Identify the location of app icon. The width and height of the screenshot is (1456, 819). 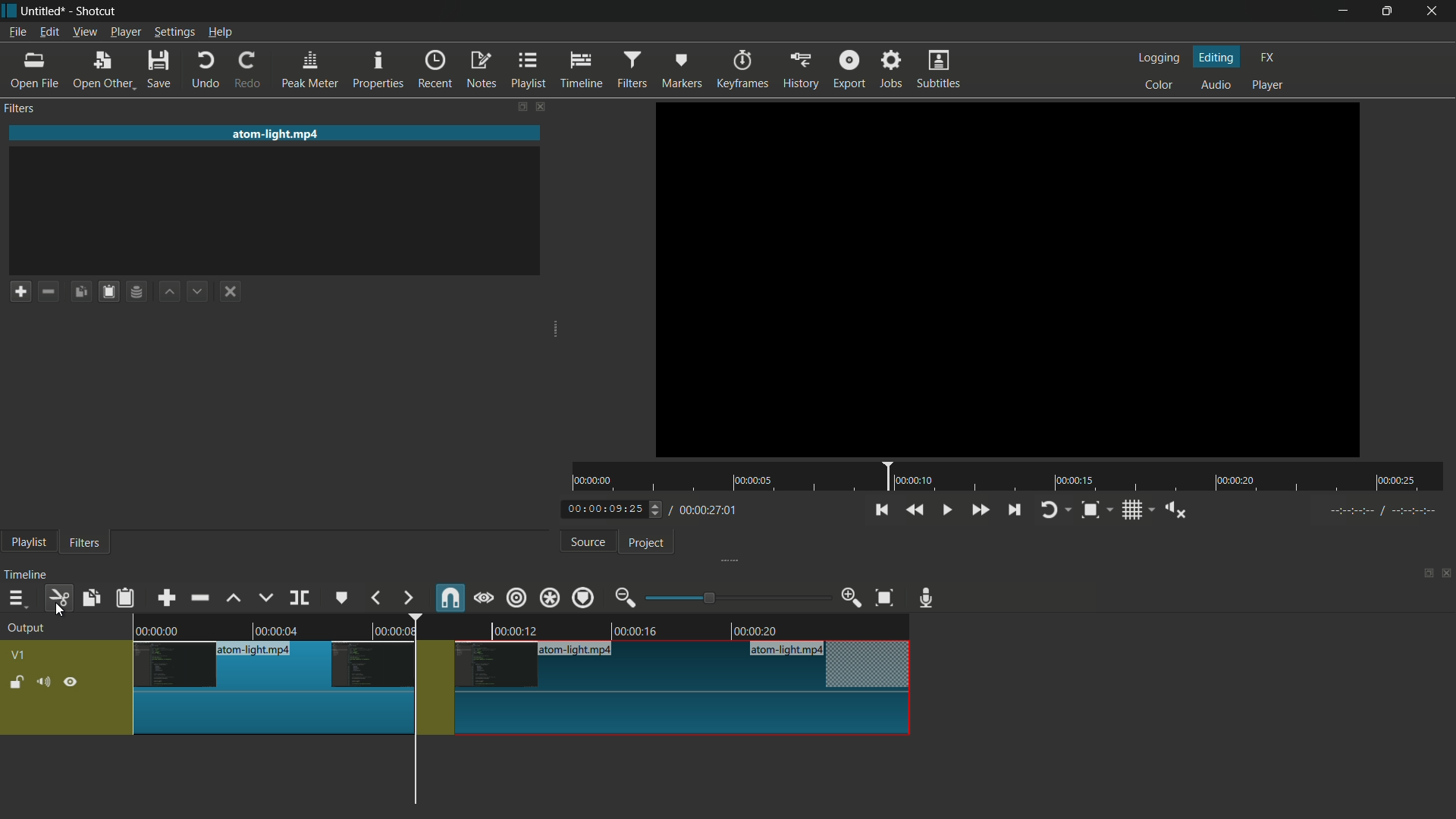
(9, 11).